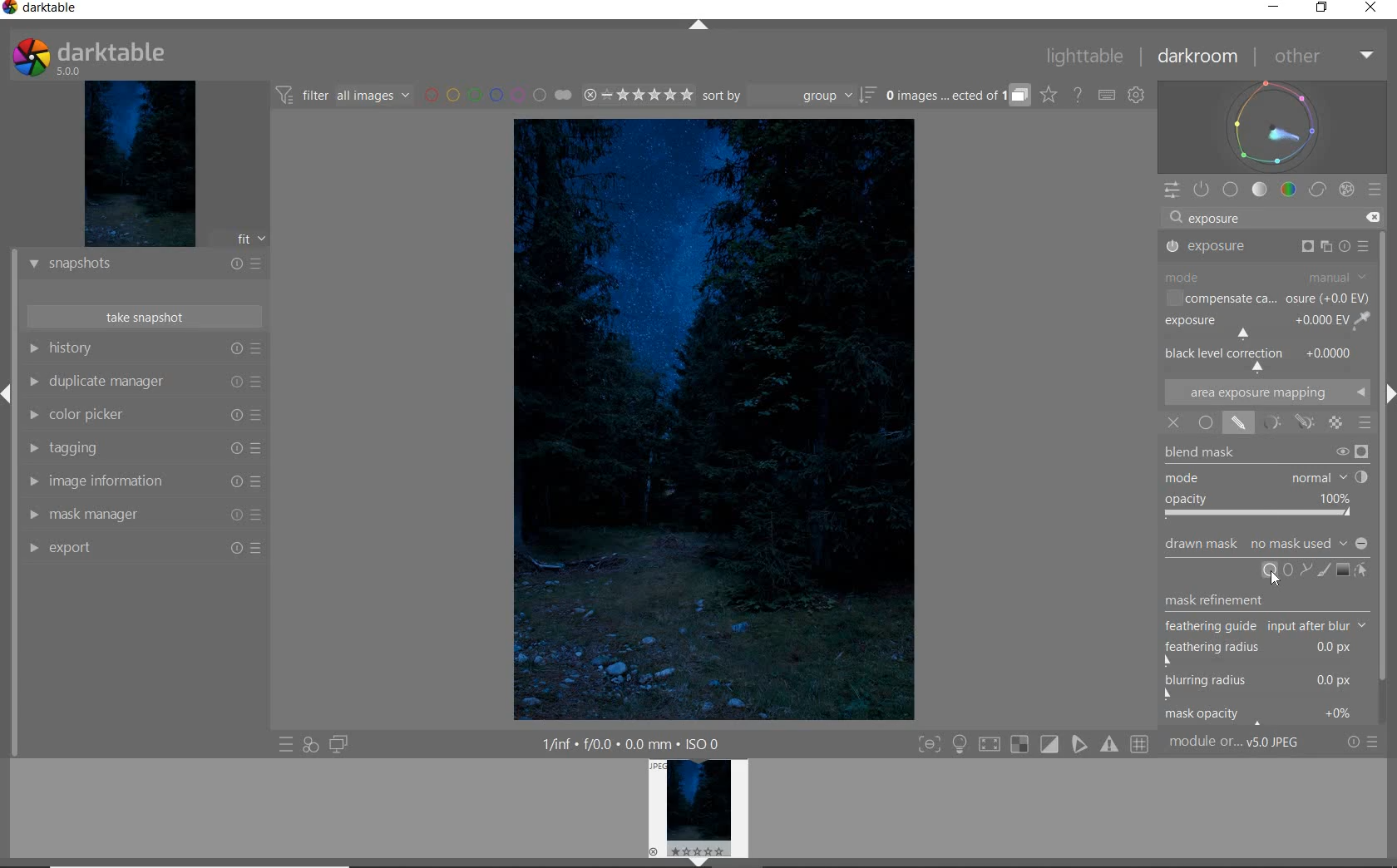  I want to click on OFF, so click(1173, 423).